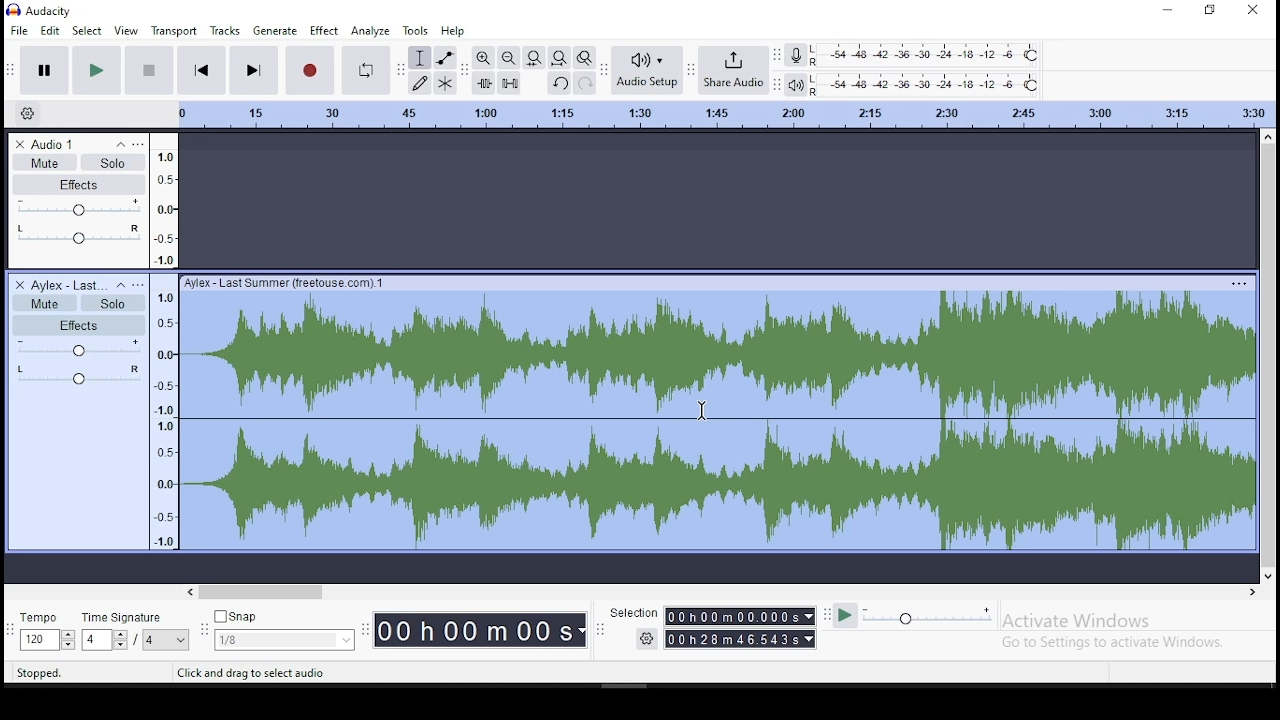 The height and width of the screenshot is (720, 1280). What do you see at coordinates (126, 32) in the screenshot?
I see `view` at bounding box center [126, 32].